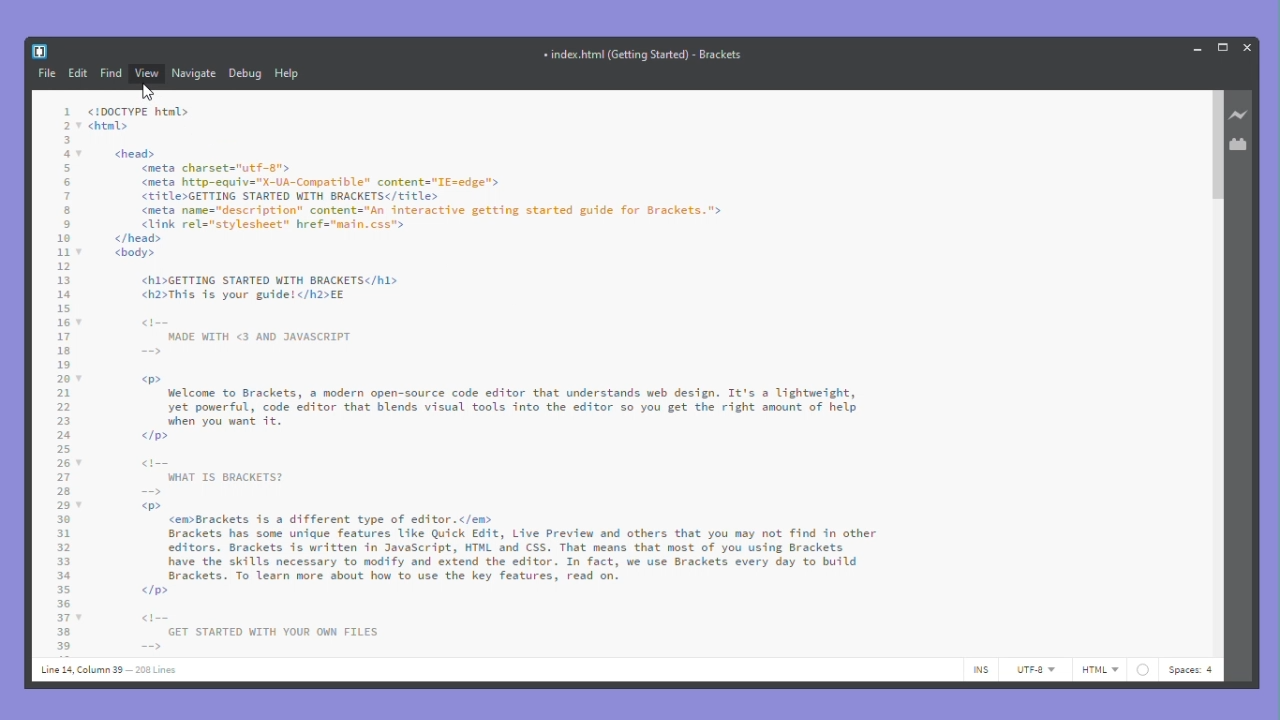 This screenshot has width=1280, height=720. I want to click on code fold, so click(80, 379).